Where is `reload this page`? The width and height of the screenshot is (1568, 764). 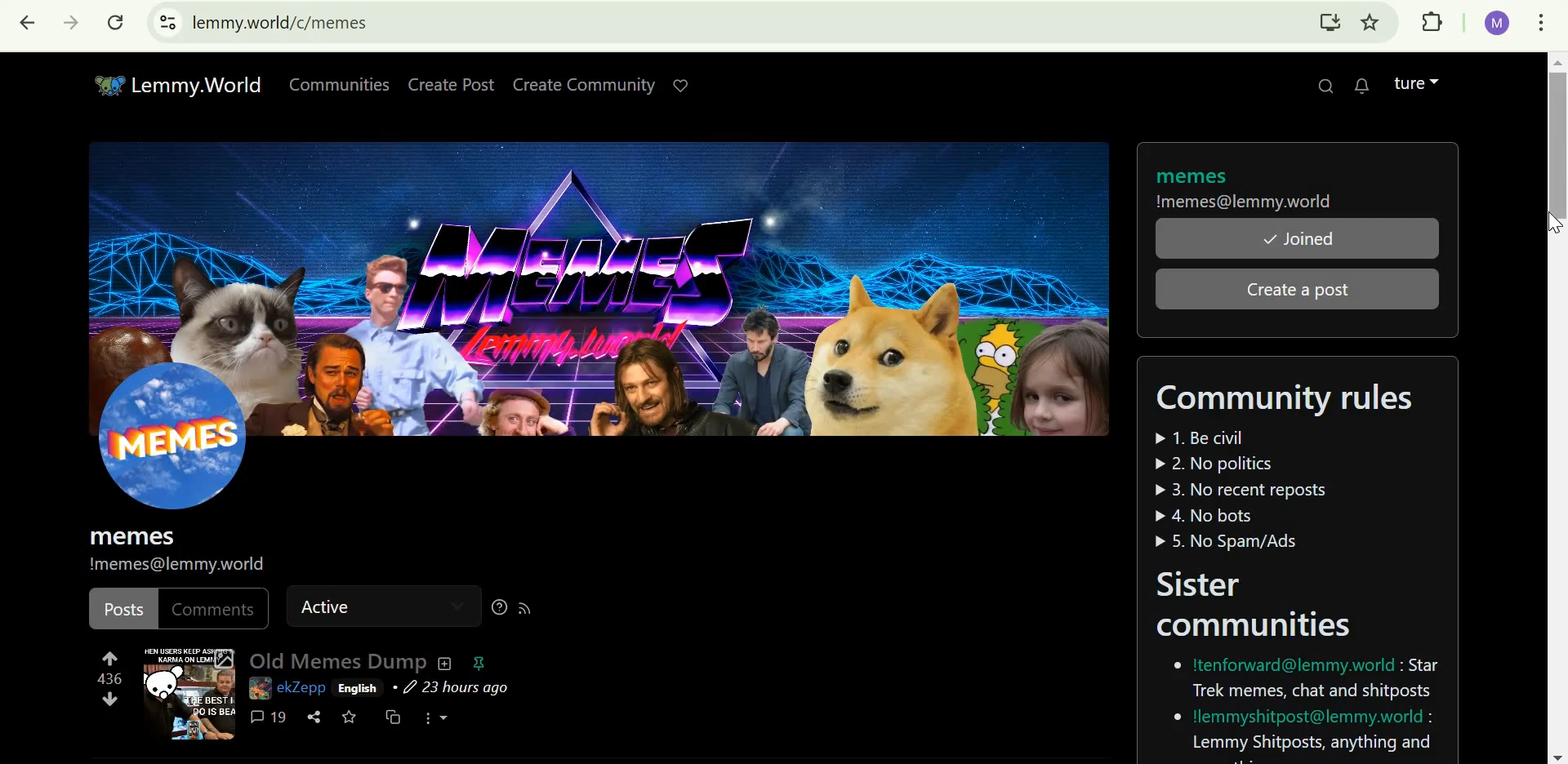
reload this page is located at coordinates (116, 25).